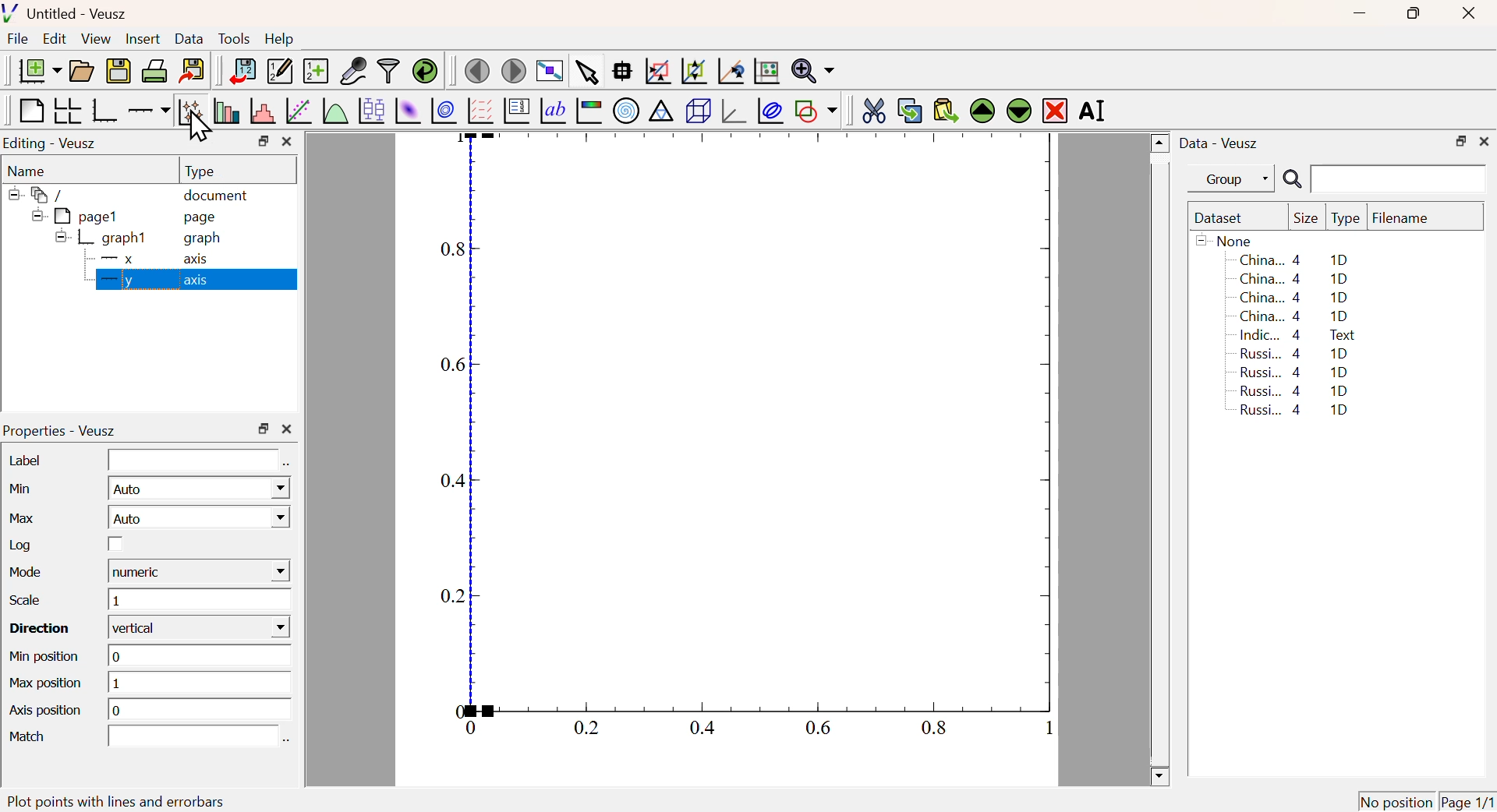 This screenshot has width=1497, height=812. I want to click on New Document, so click(39, 71).